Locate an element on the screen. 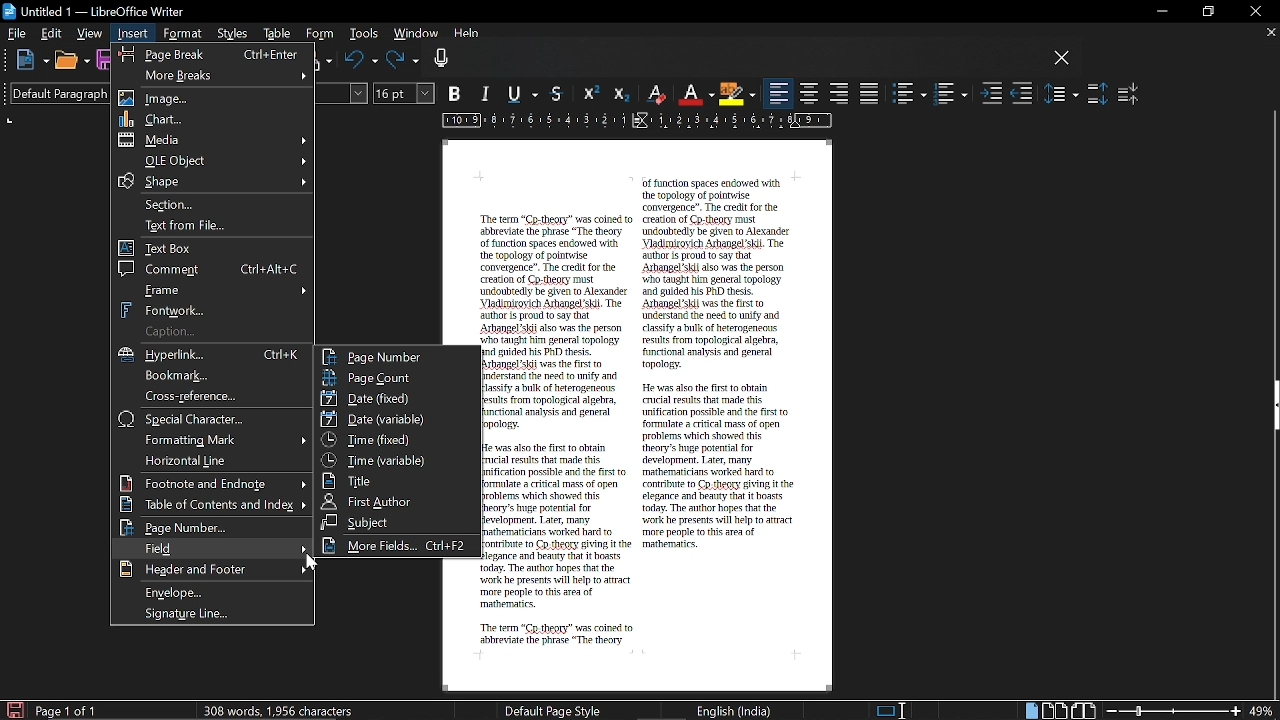 The image size is (1280, 720). Ersaser is located at coordinates (657, 95).